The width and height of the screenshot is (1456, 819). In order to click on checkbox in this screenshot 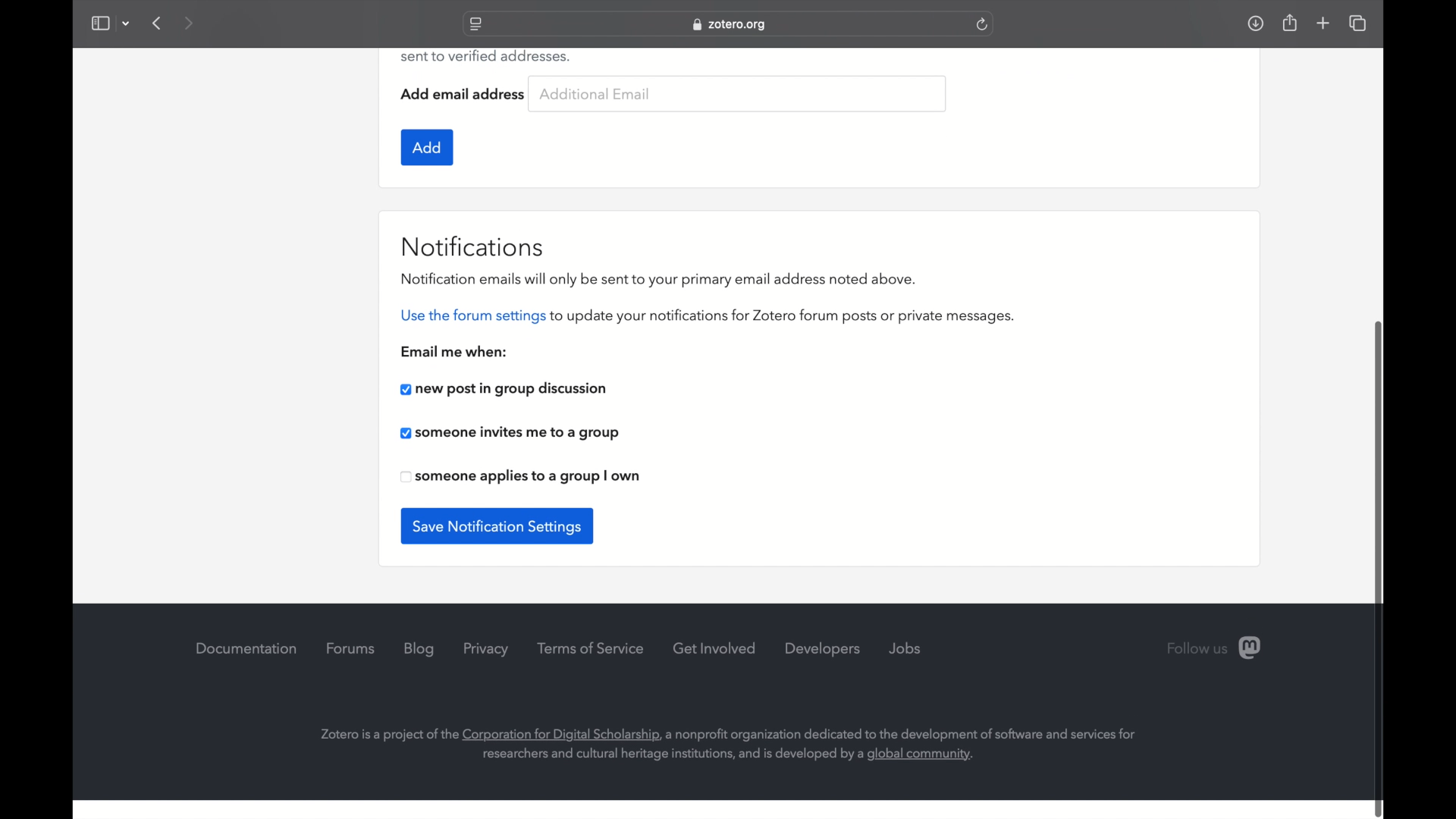, I will do `click(510, 433)`.